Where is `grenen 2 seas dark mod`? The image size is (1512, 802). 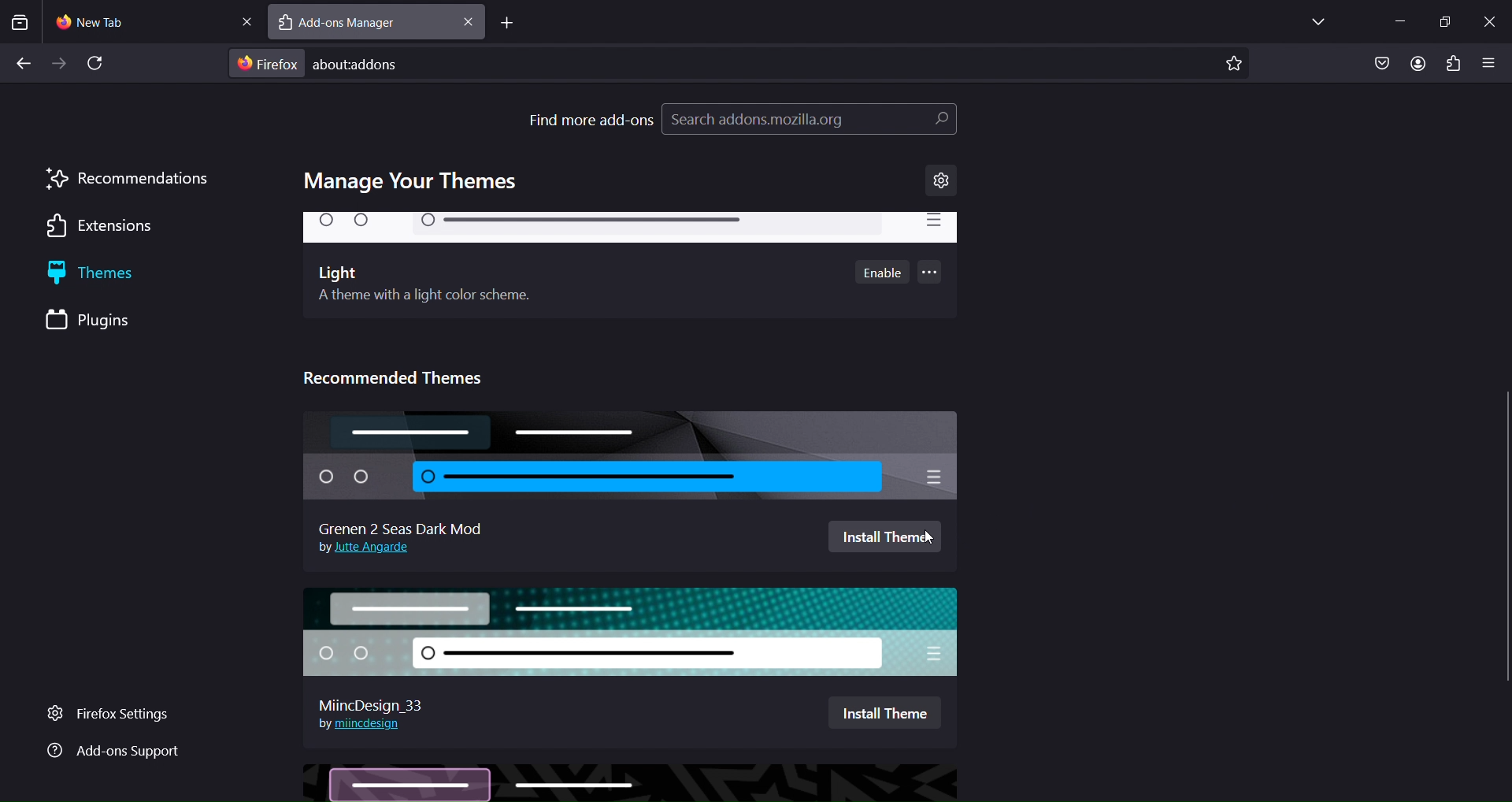 grenen 2 seas dark mod is located at coordinates (629, 457).